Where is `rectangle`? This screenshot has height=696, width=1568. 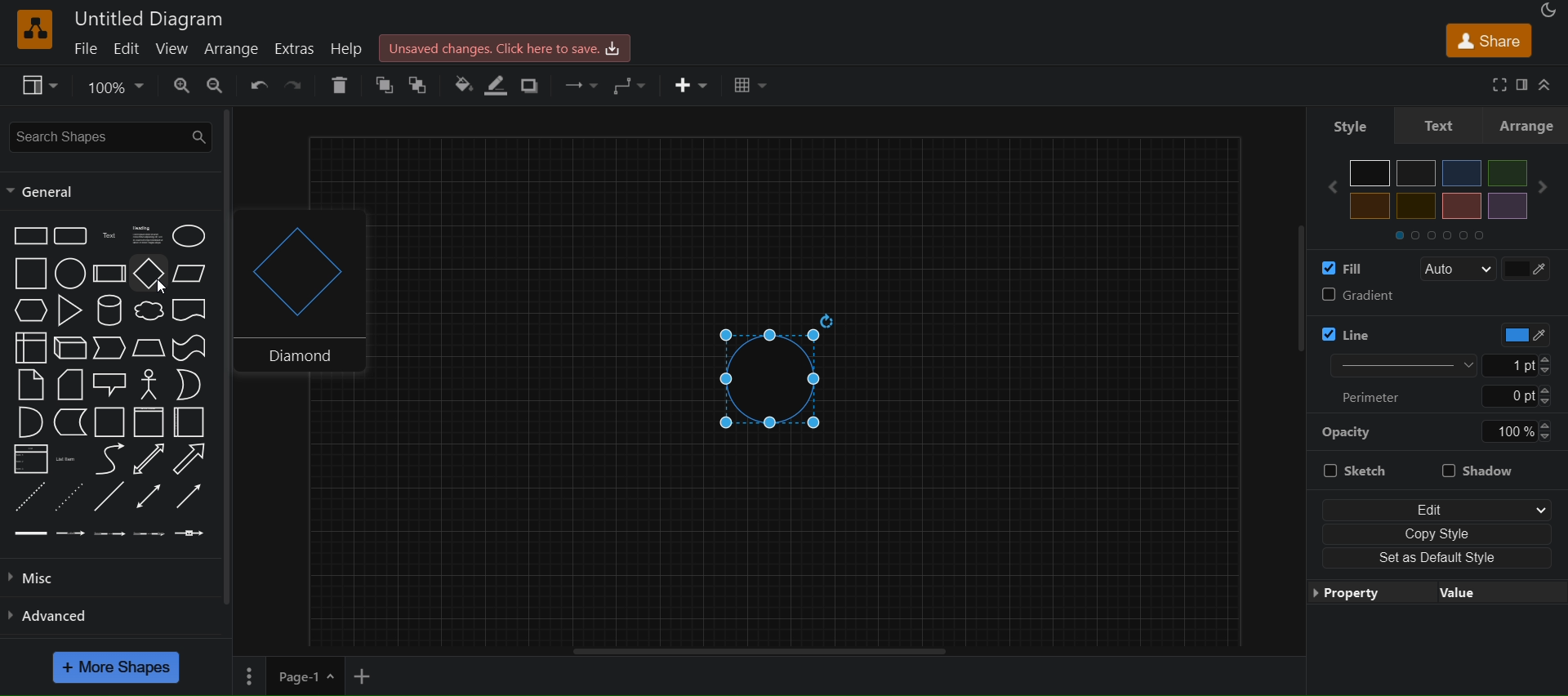 rectangle is located at coordinates (29, 234).